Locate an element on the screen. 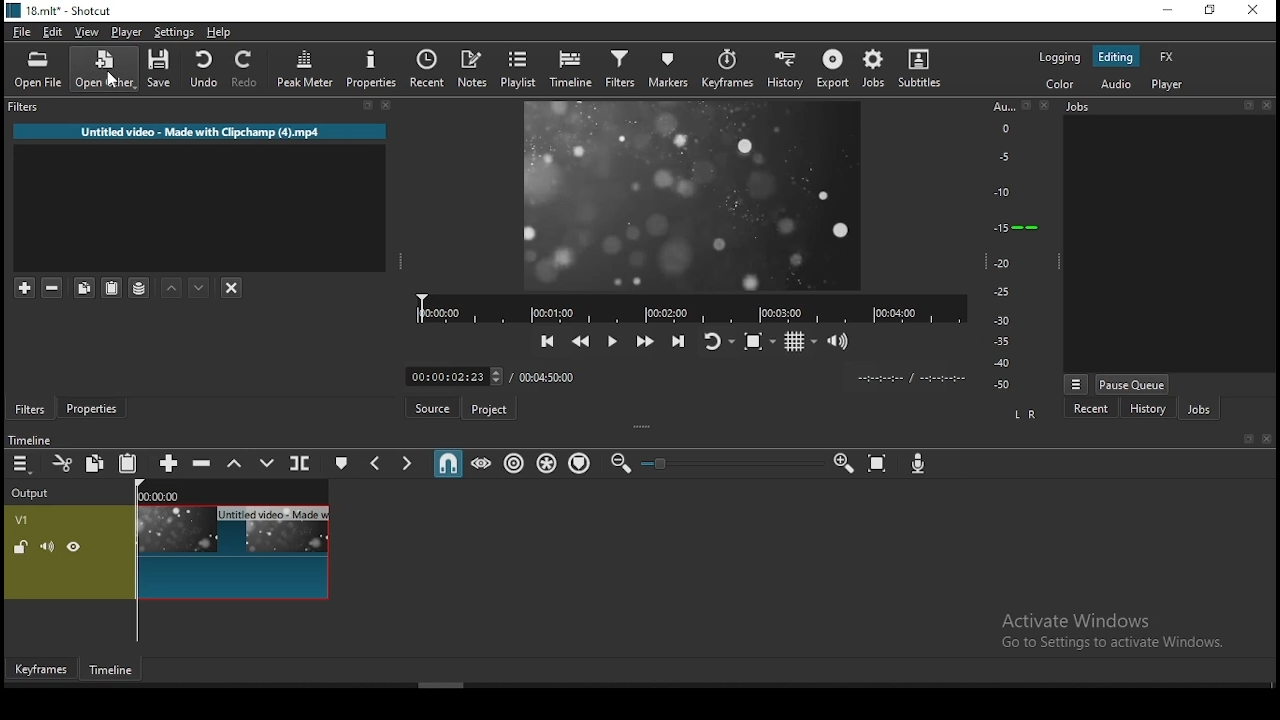 Image resolution: width=1280 pixels, height=720 pixels. ripple delete is located at coordinates (203, 465).